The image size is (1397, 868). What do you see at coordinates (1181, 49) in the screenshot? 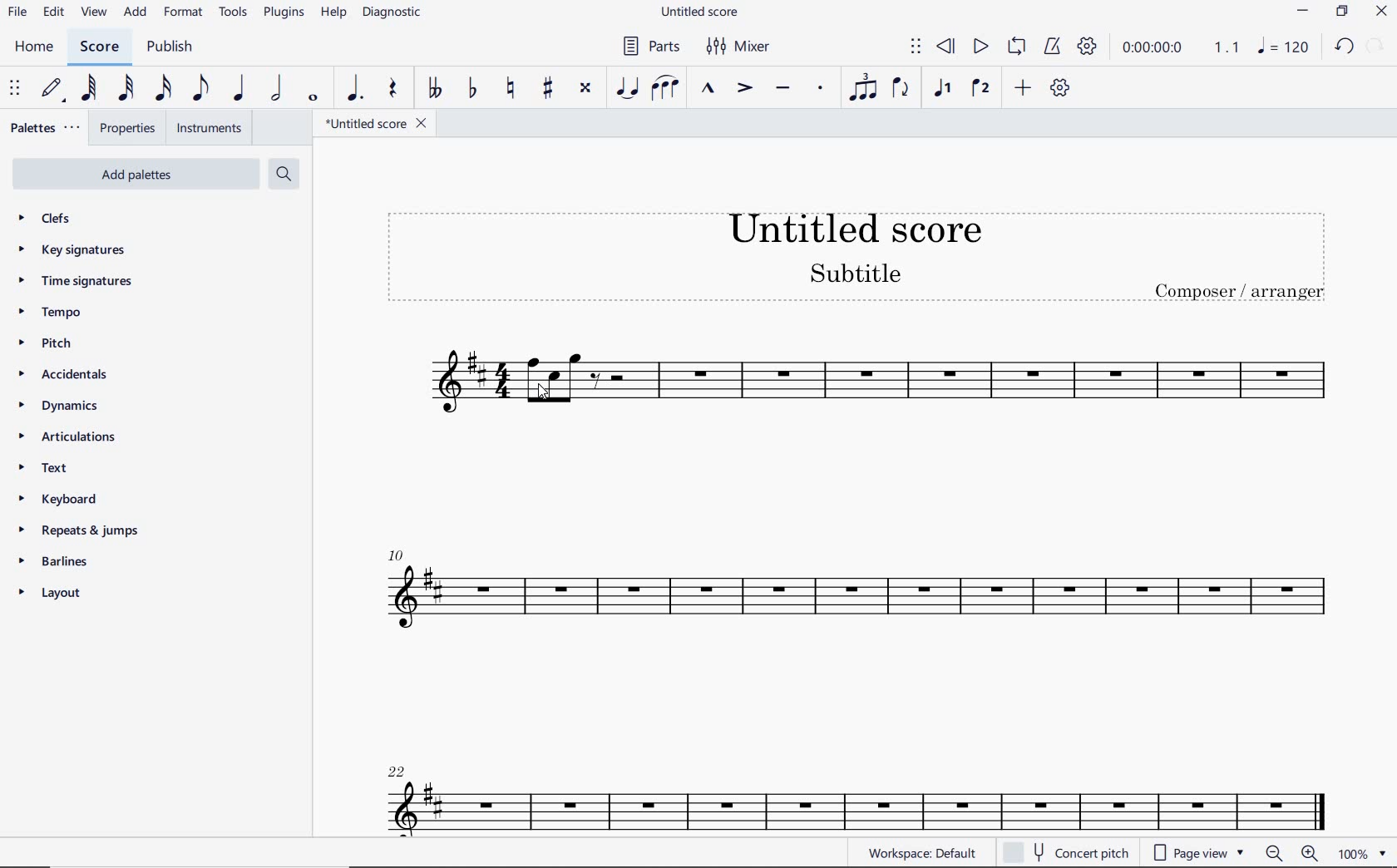
I see `PLAY SPEED` at bounding box center [1181, 49].